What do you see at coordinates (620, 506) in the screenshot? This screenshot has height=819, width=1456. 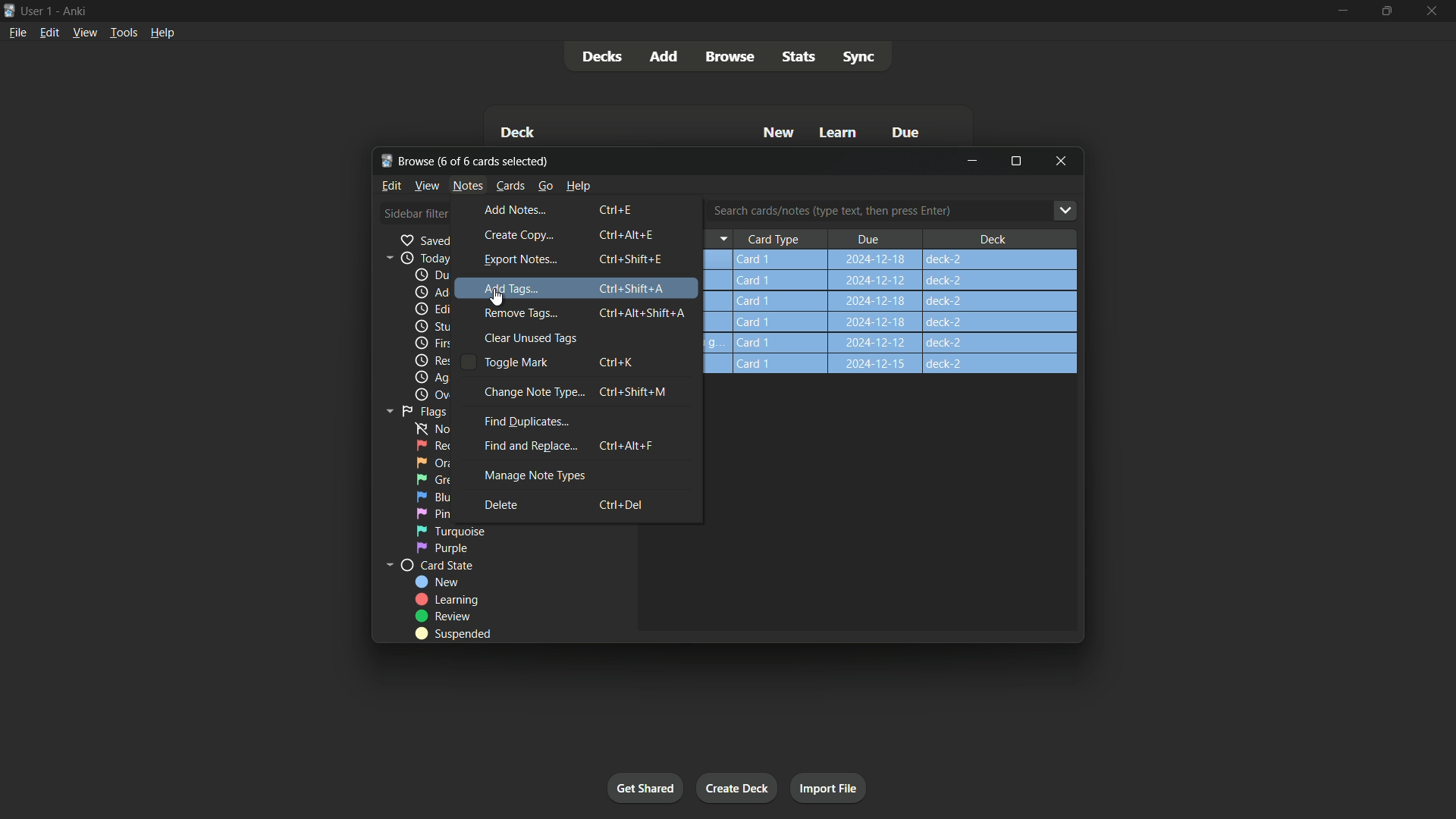 I see `Ctrl + Del` at bounding box center [620, 506].